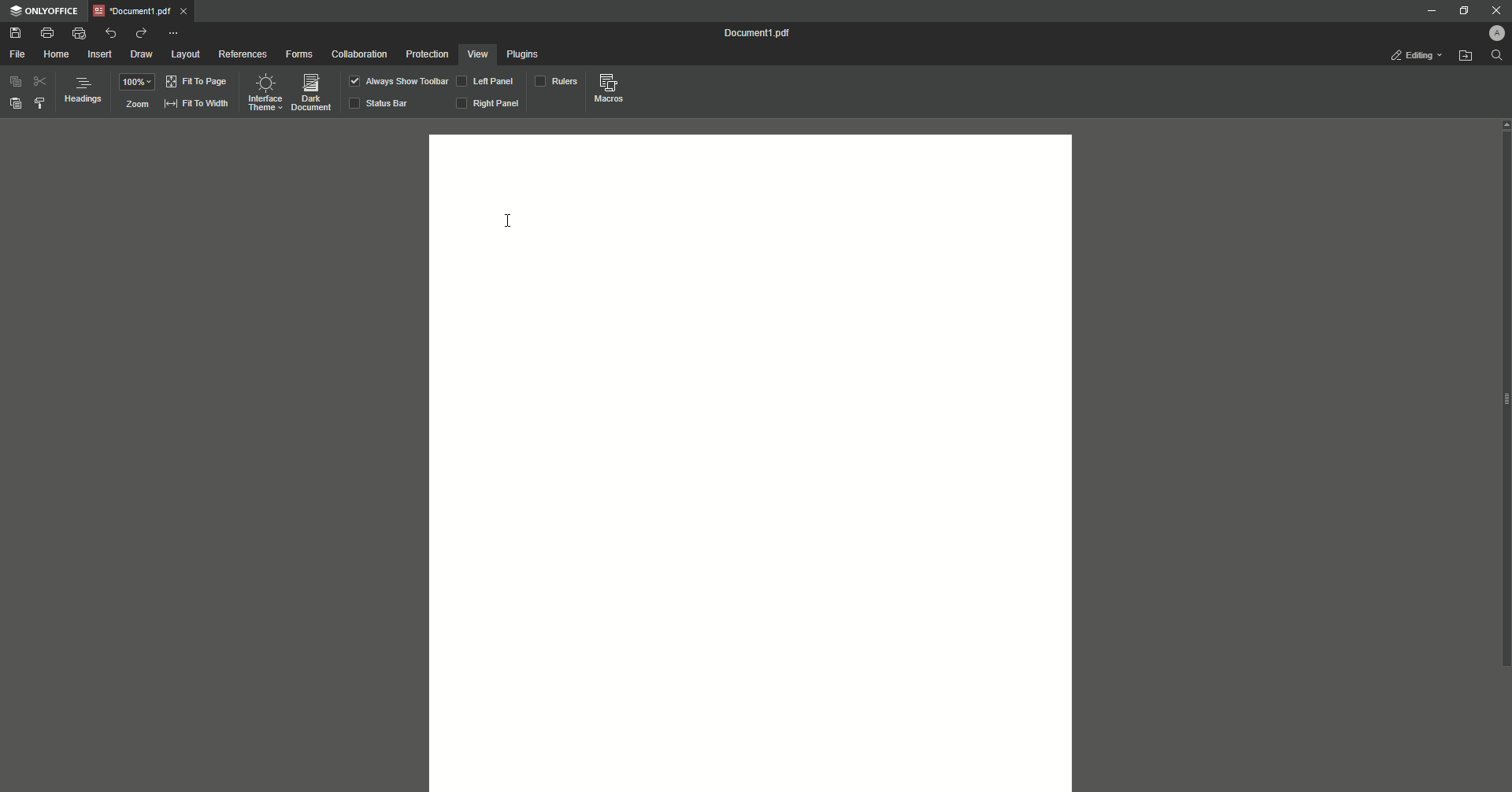  Describe the element at coordinates (80, 33) in the screenshot. I see `Quick print` at that location.